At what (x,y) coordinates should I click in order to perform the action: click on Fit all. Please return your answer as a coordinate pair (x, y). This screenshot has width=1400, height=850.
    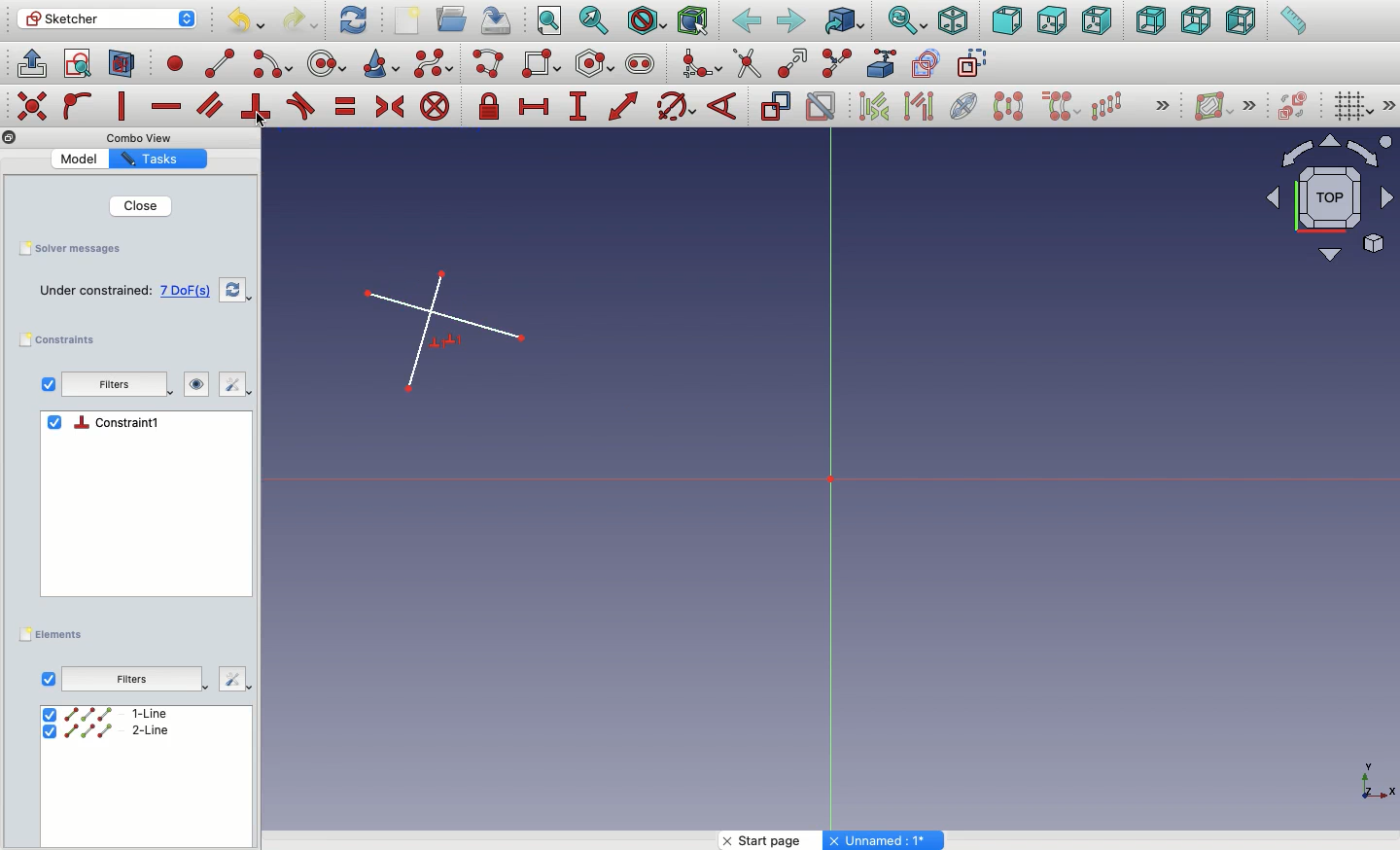
    Looking at the image, I should click on (551, 21).